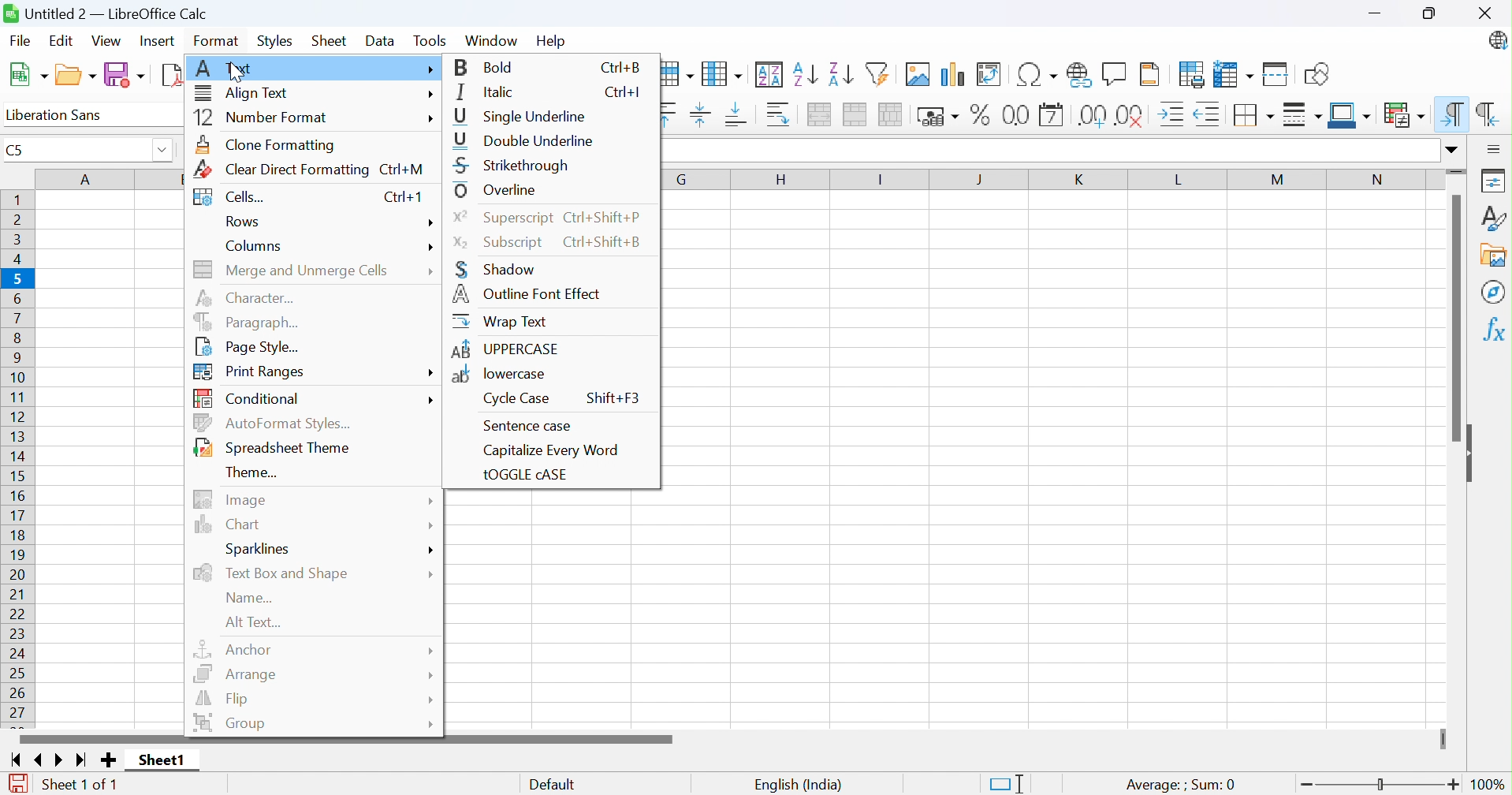 Image resolution: width=1512 pixels, height=795 pixels. What do you see at coordinates (162, 762) in the screenshot?
I see `Sheet1` at bounding box center [162, 762].